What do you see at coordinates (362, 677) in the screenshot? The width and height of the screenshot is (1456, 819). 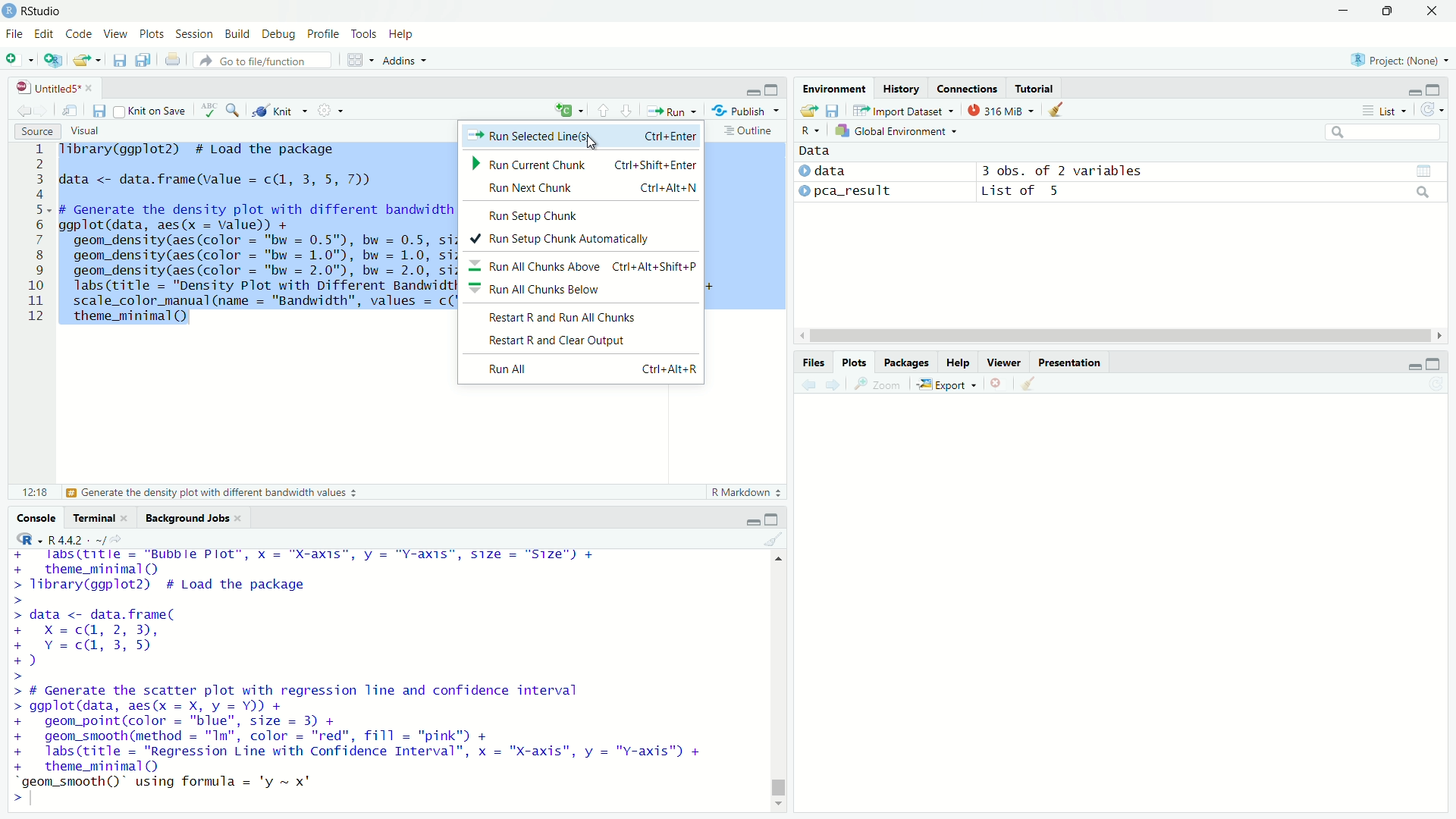 I see `+ fabs(titlie = "Bubble Plot", Xx = "X-axis", y = "Y-axis, Size = '>1ze’) +
+ theme_minimal()

> library(ggplot2) # Load the package

>

> data <- data.frame(

+ X=cQ@, 2,3),

+ Y=c@, 3,5

+)

>

> # Generate the scatter plot with regression line and confidence interval

> ggplot(data, aes(x = X, y = Y)) +

+ geom_point(color = "blue", size = 3) +

+ geom_smooth(method = "Im", color = "red", fill = "pink") +

+ labs(title = "Regression Line with Confidence Interval", x = "X-axis", y = "Y-axis") +
+ theme_minimal()

“geom_smooth()" using formula = 'y ~ x"

>|` at bounding box center [362, 677].